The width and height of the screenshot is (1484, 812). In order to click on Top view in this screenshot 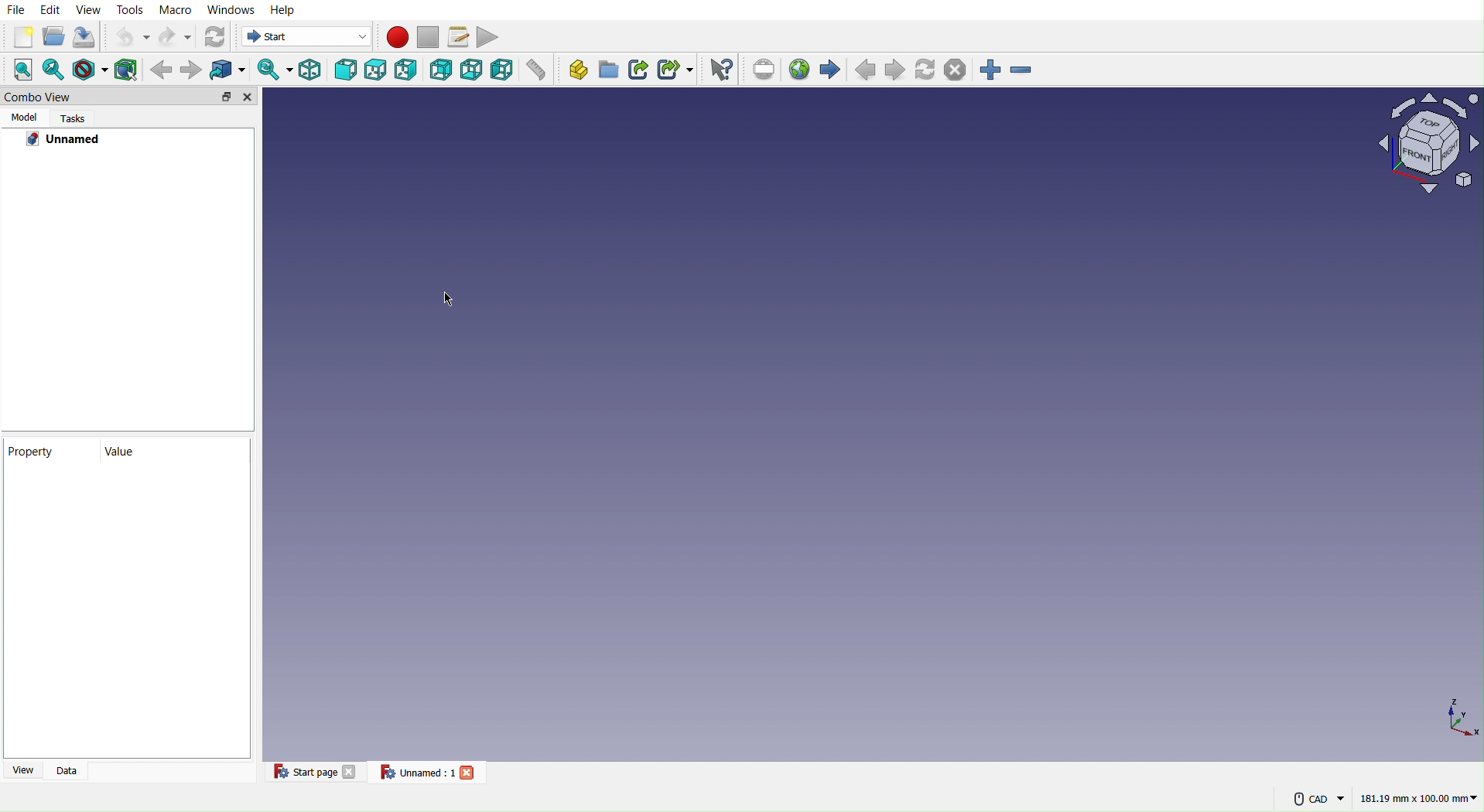, I will do `click(378, 68)`.